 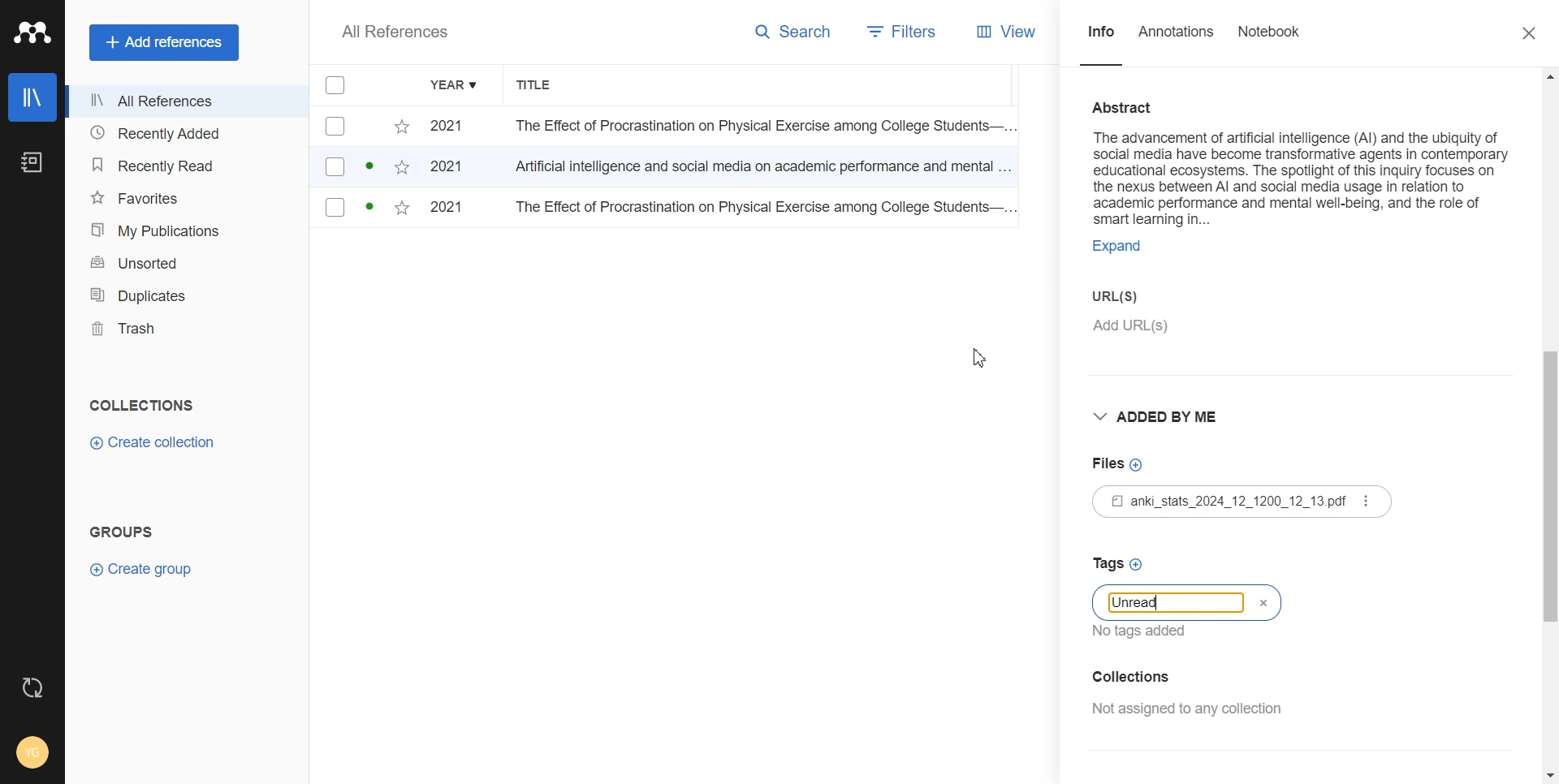 I want to click on Checkmarks, so click(x=336, y=86).